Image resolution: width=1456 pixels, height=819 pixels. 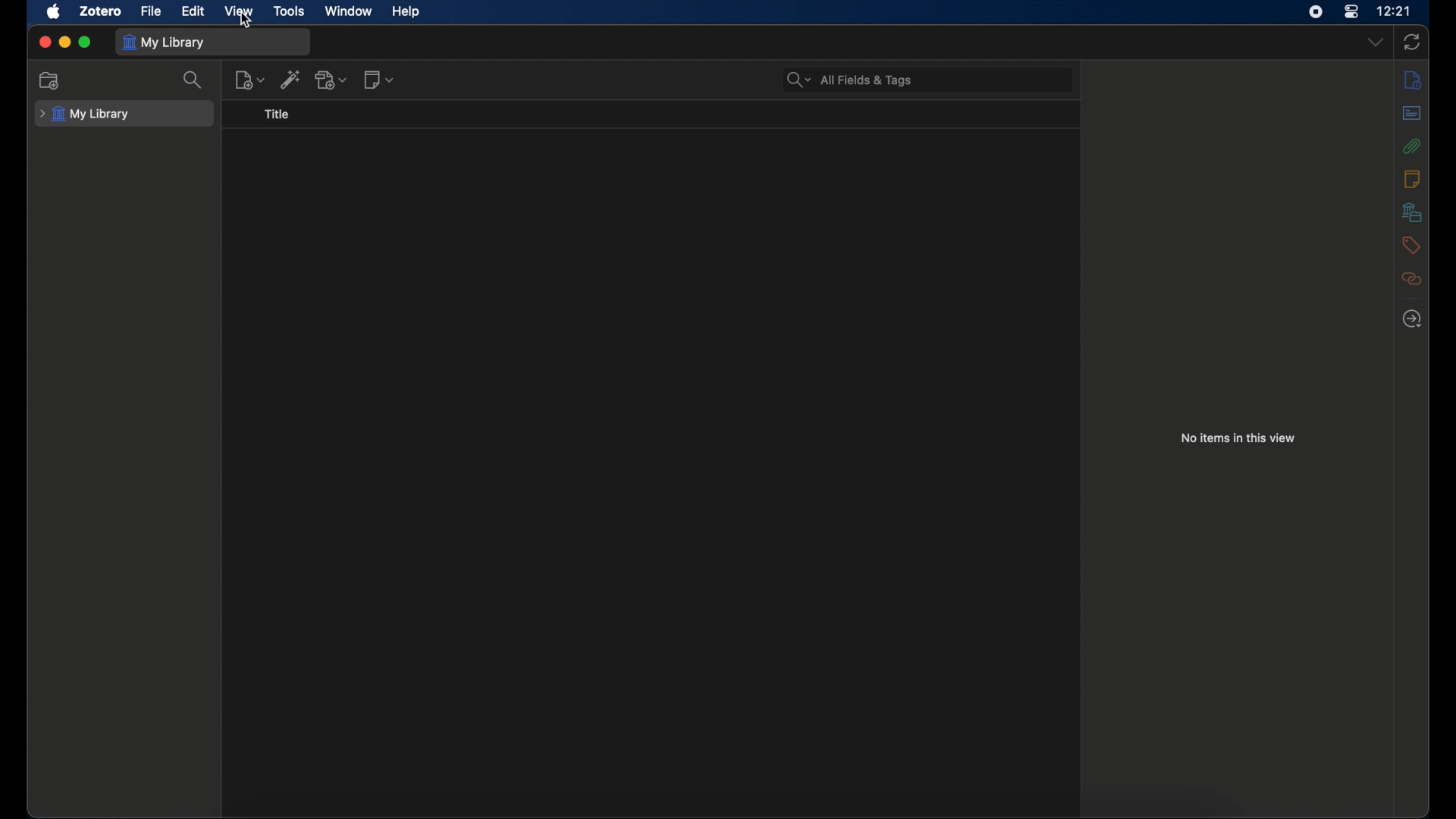 I want to click on notes, so click(x=1412, y=179).